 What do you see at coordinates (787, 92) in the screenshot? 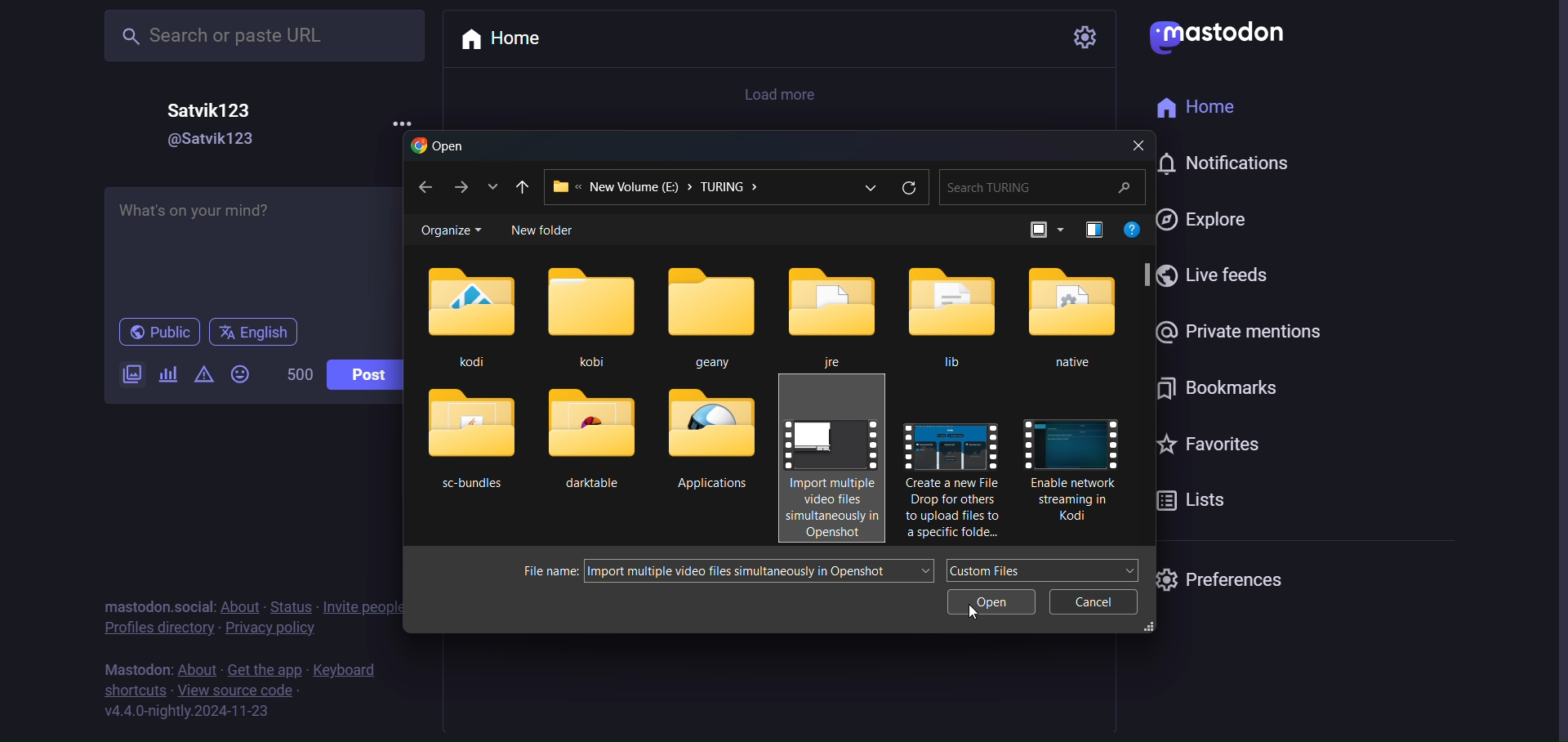
I see `load more` at bounding box center [787, 92].